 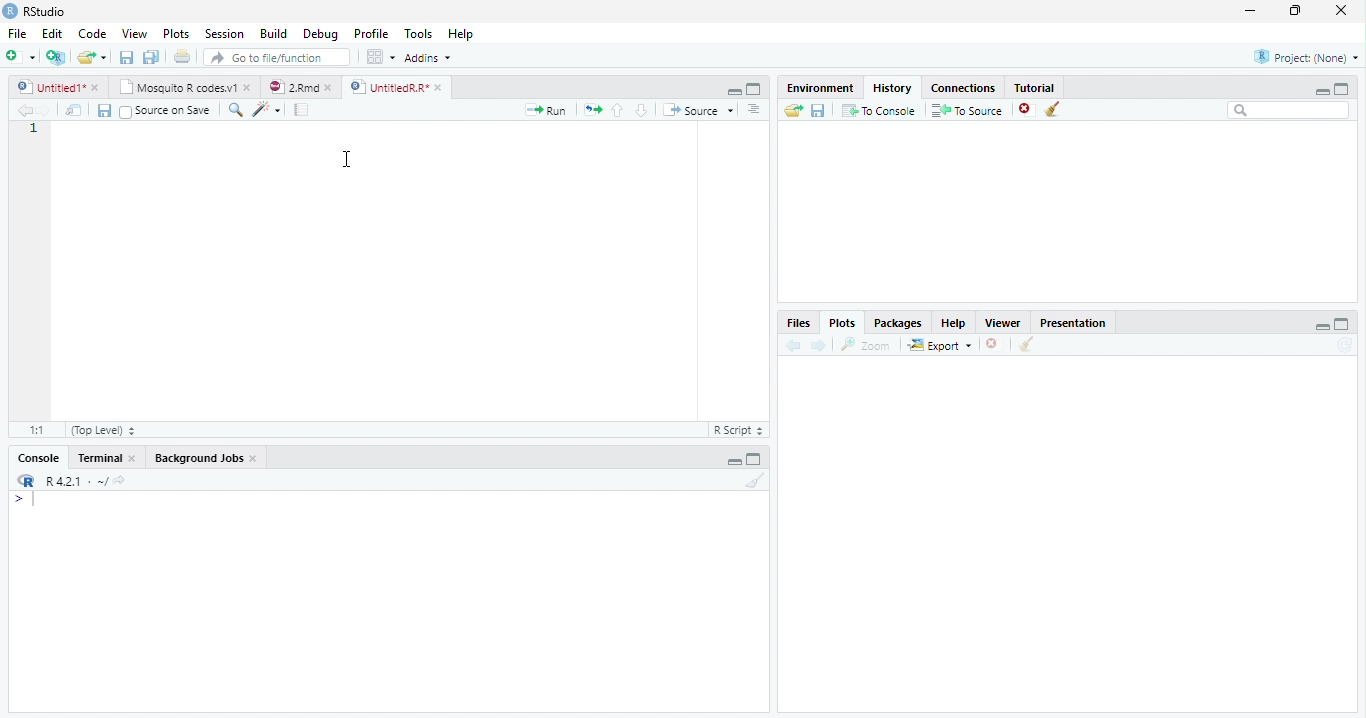 I want to click on Minimize, so click(x=734, y=91).